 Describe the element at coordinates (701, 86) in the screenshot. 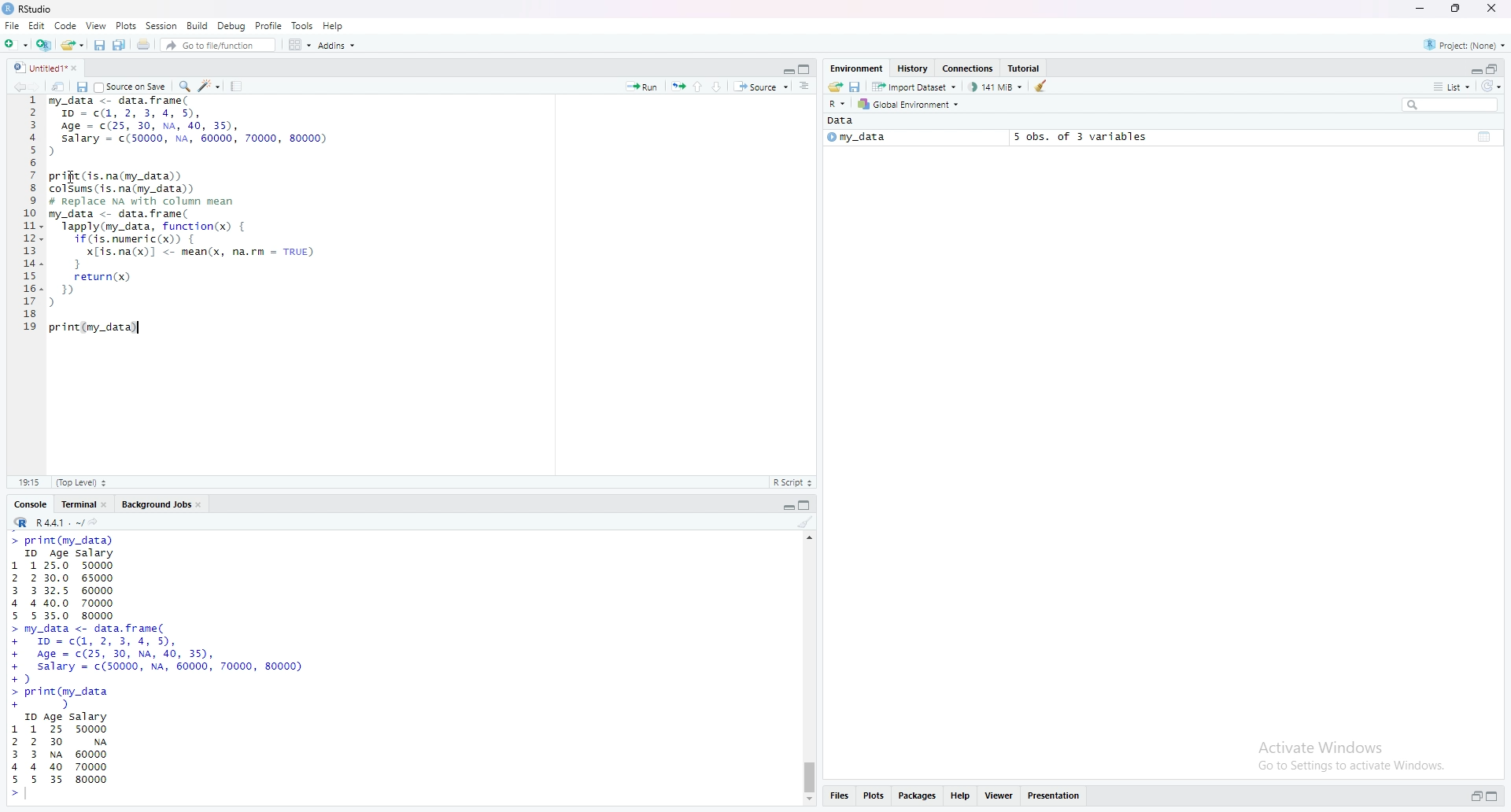

I see `go to the previous section` at that location.